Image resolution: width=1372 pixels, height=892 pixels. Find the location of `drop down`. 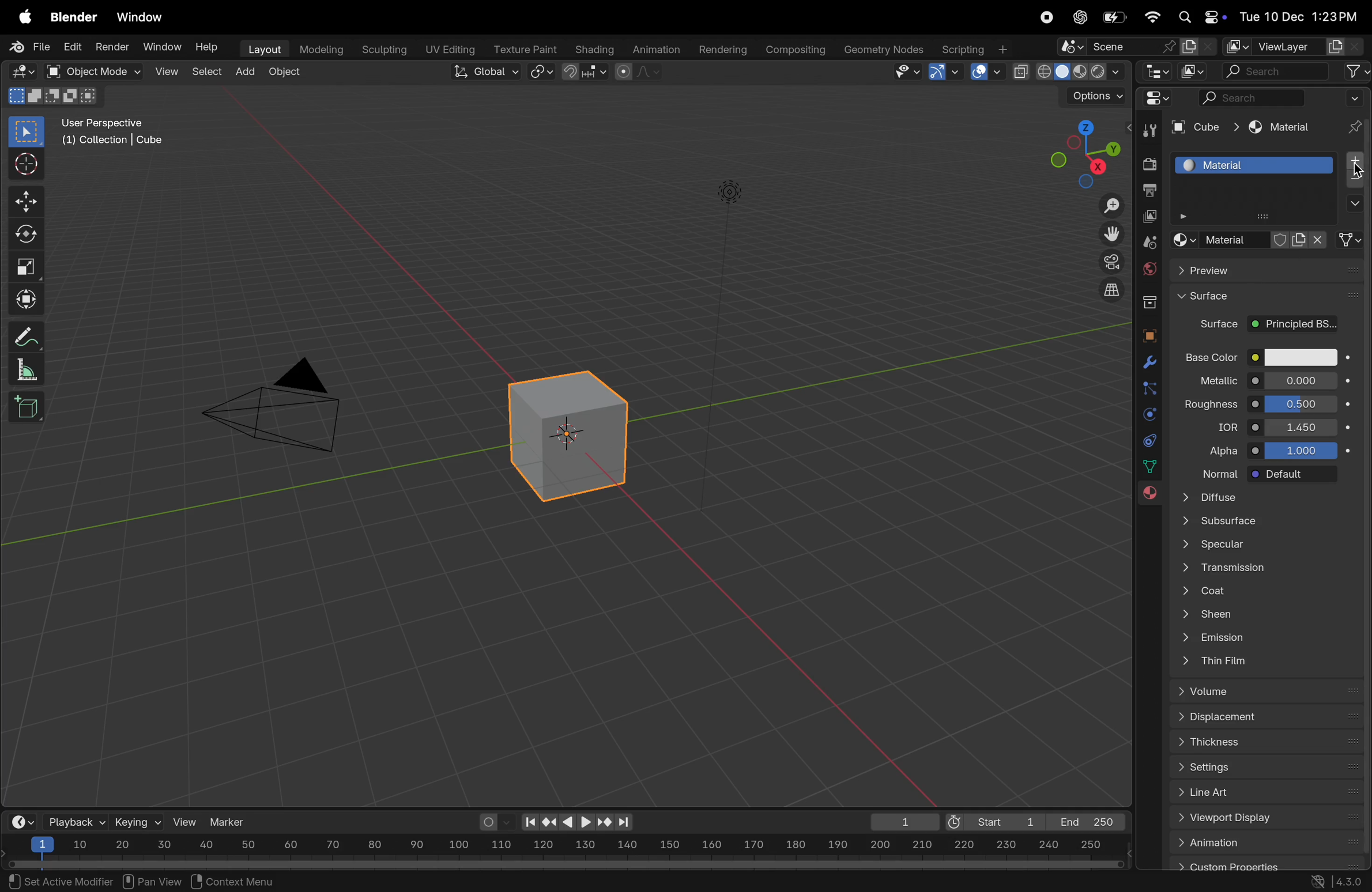

drop down is located at coordinates (1352, 205).